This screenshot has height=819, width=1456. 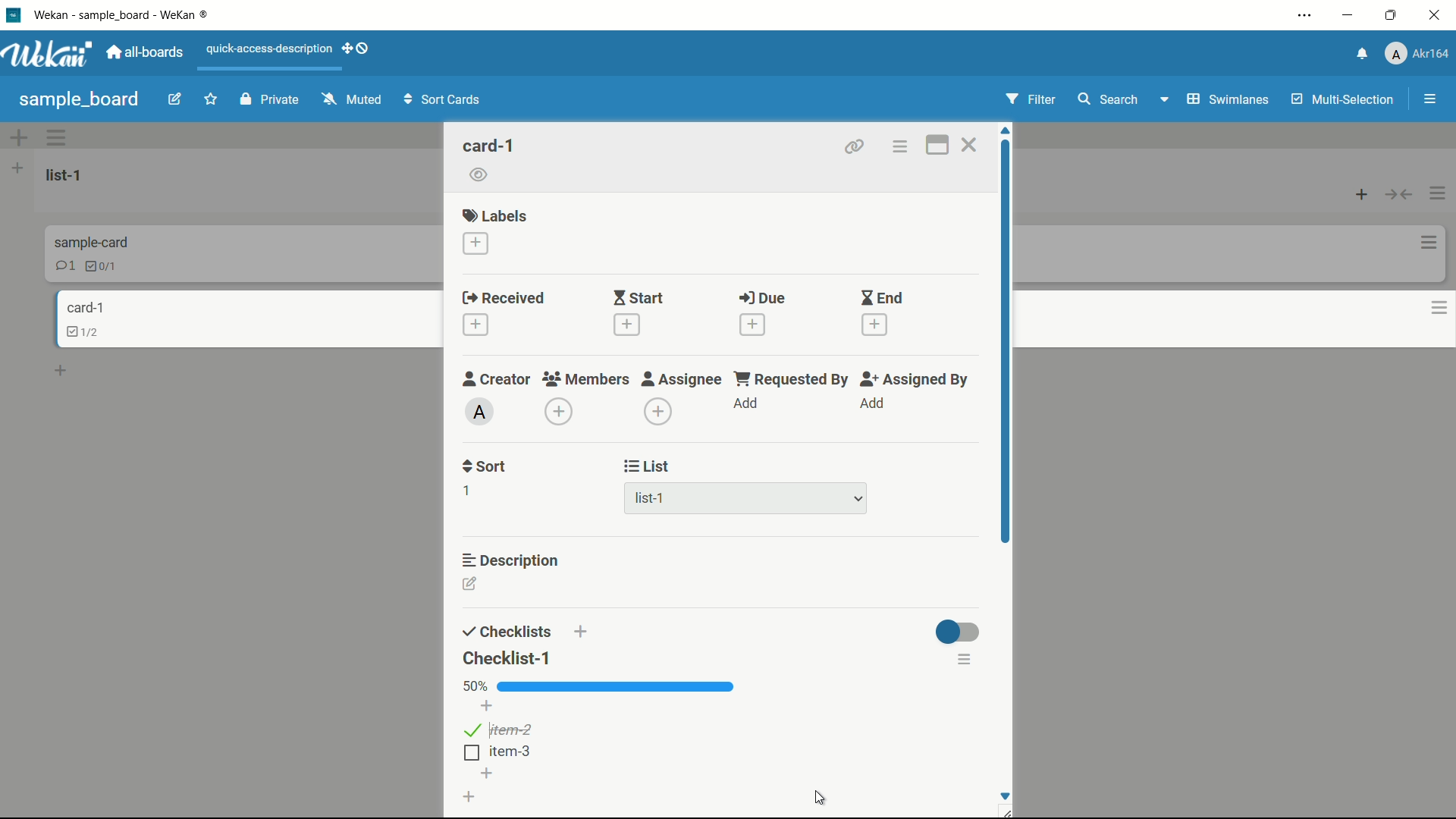 I want to click on admin, so click(x=481, y=413).